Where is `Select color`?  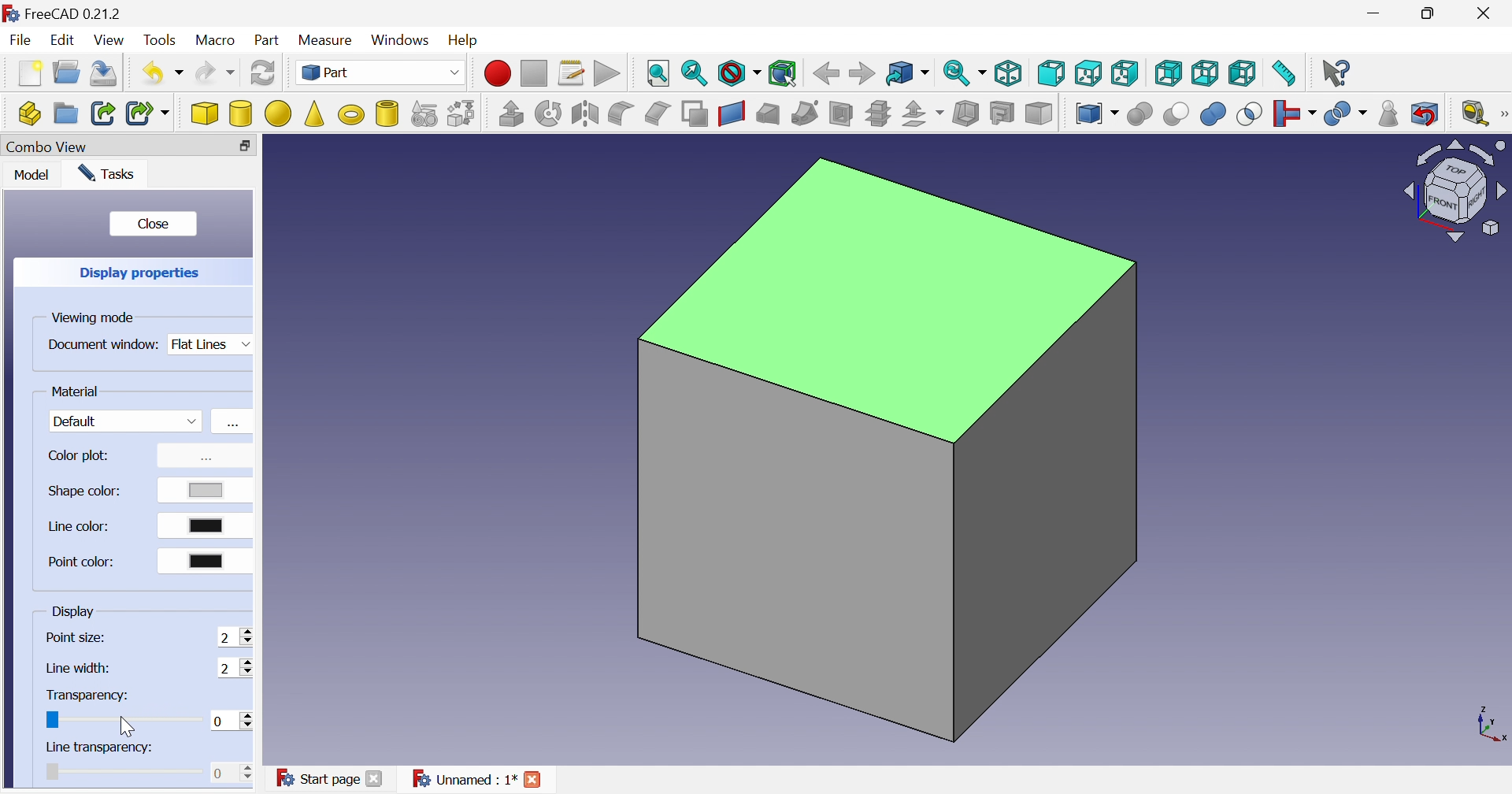
Select color is located at coordinates (208, 490).